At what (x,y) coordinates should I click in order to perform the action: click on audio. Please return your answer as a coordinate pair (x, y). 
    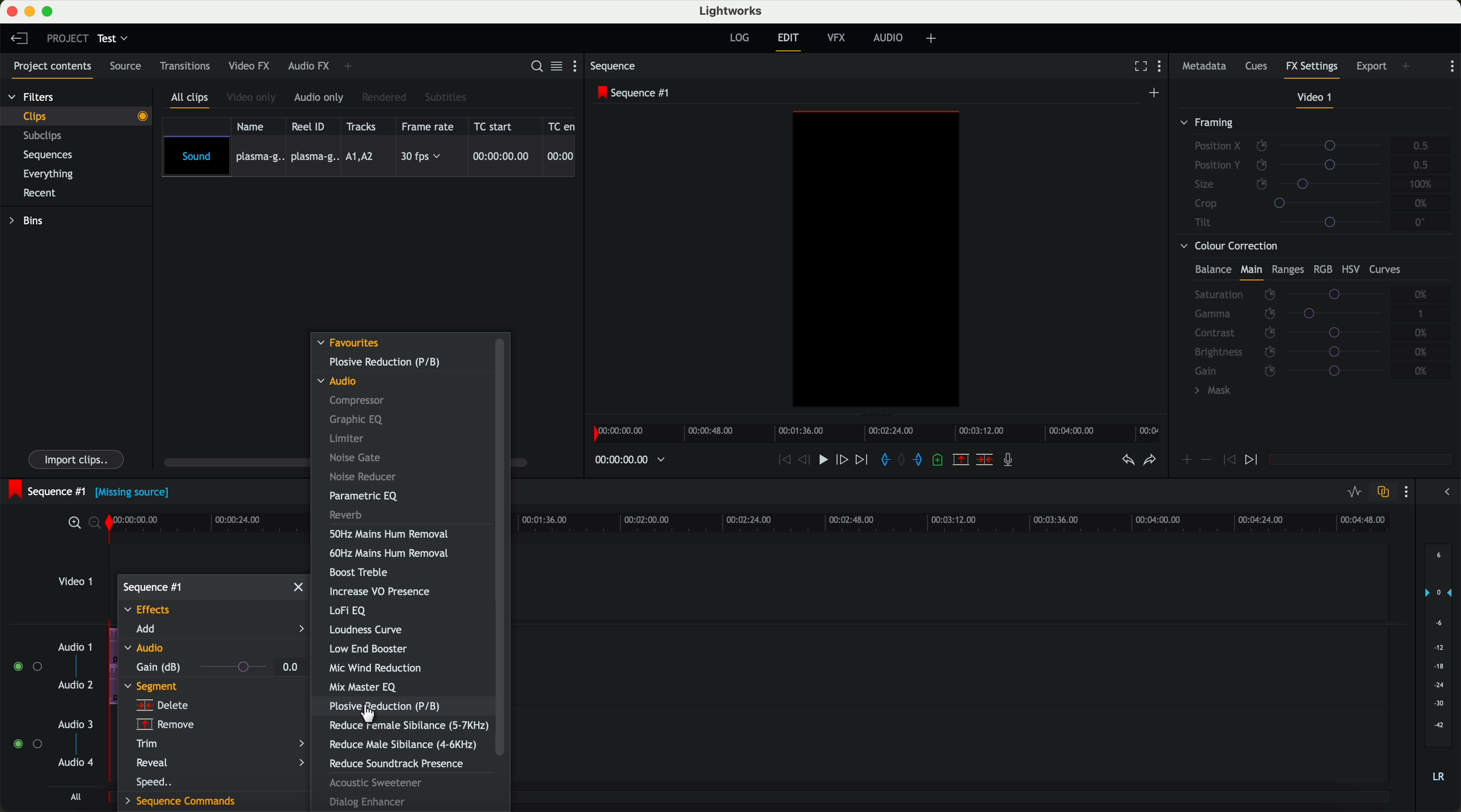
    Looking at the image, I should click on (343, 382).